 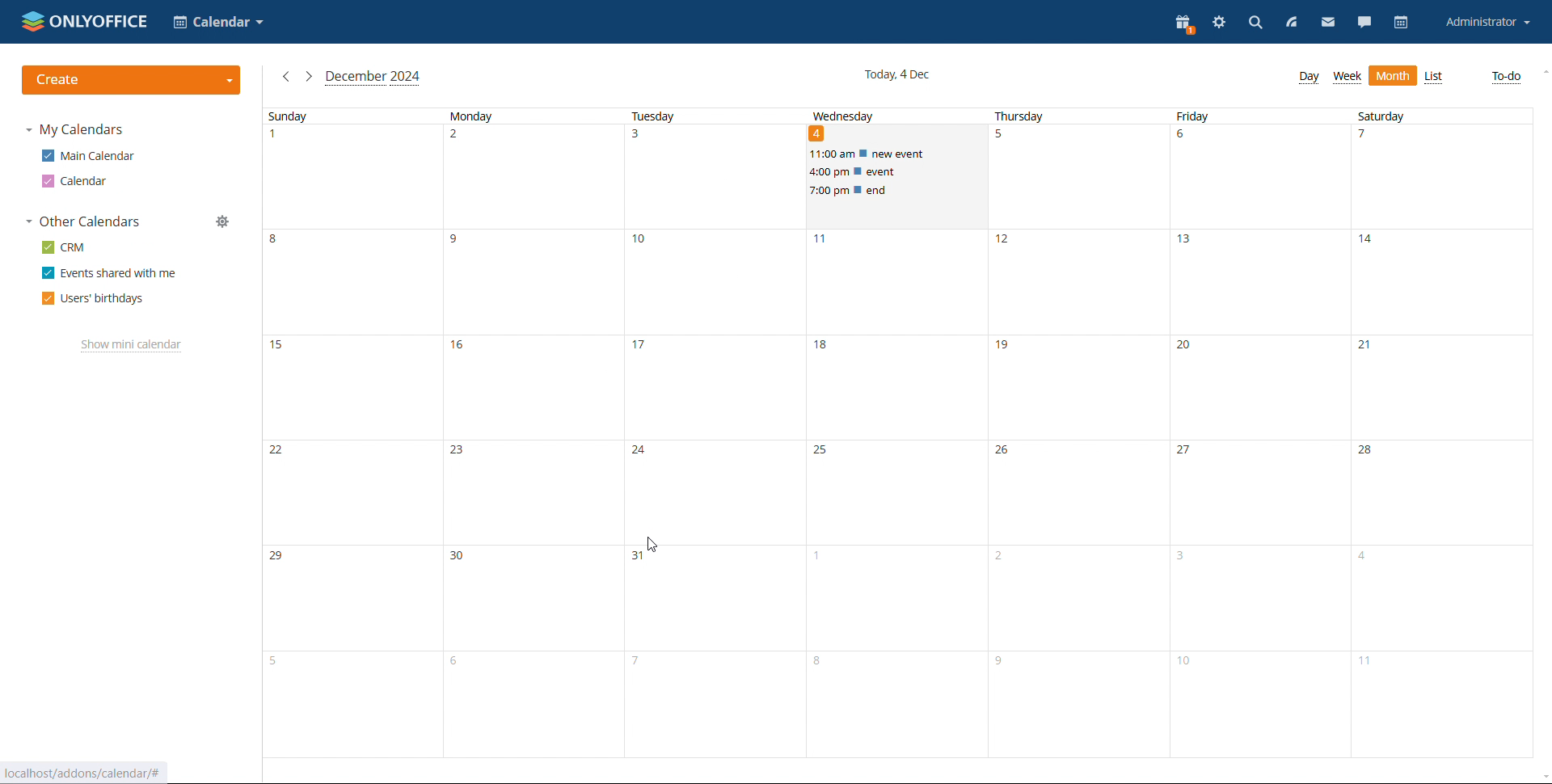 I want to click on month, so click(x=1393, y=76).